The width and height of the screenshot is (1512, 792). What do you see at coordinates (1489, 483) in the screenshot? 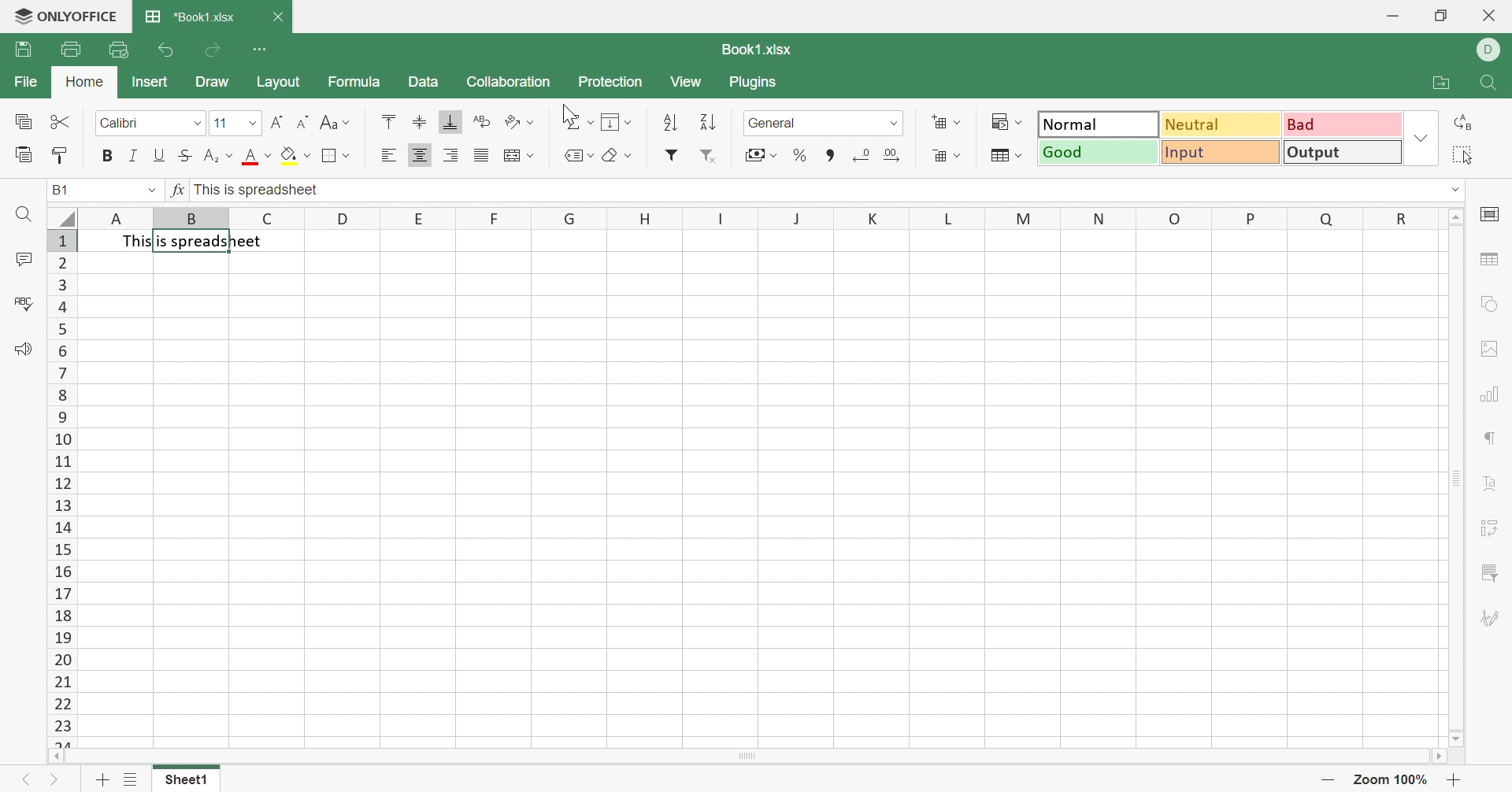
I see `Text Art settings` at bounding box center [1489, 483].